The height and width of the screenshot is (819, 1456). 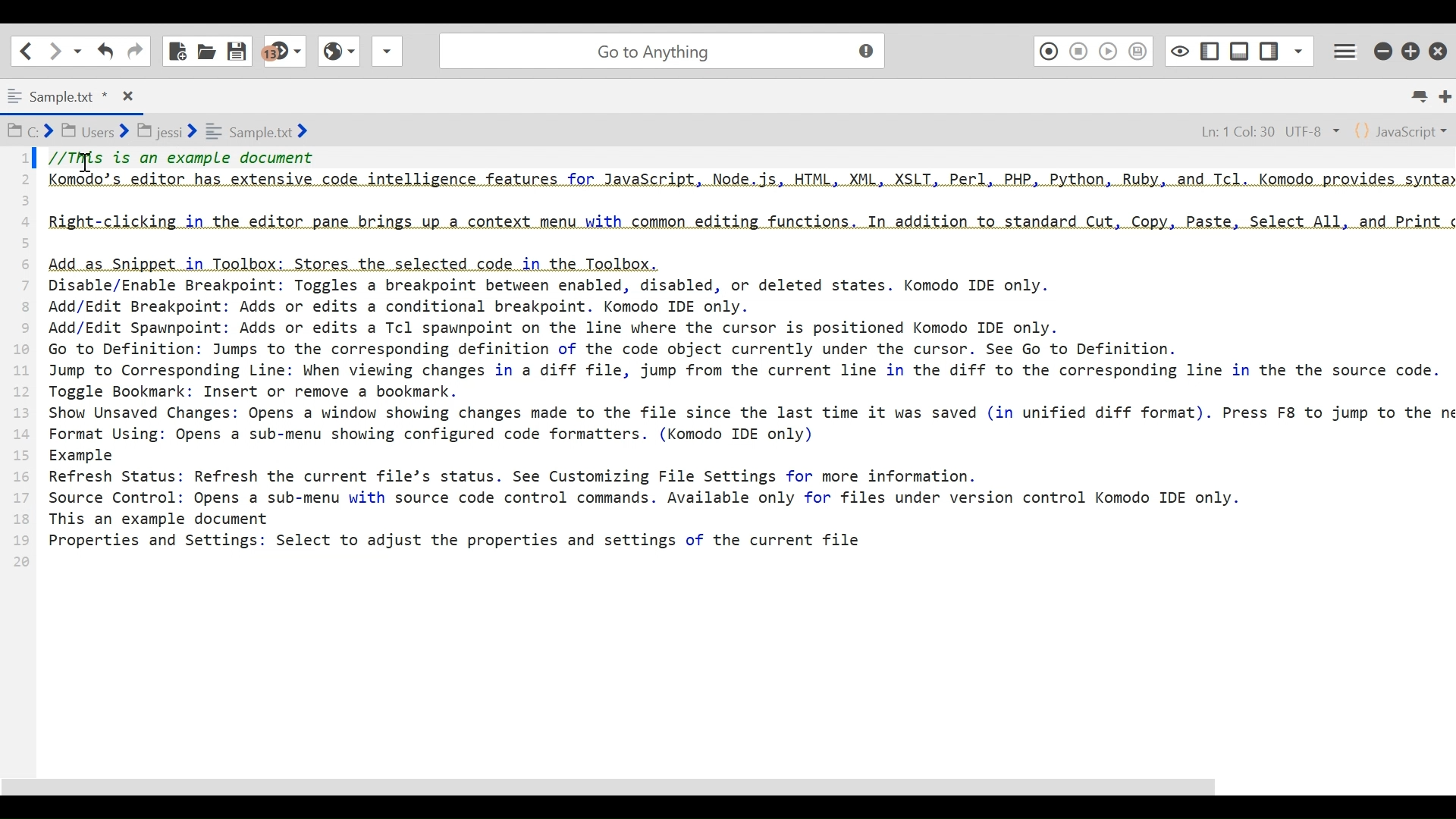 I want to click on cursor, so click(x=89, y=168).